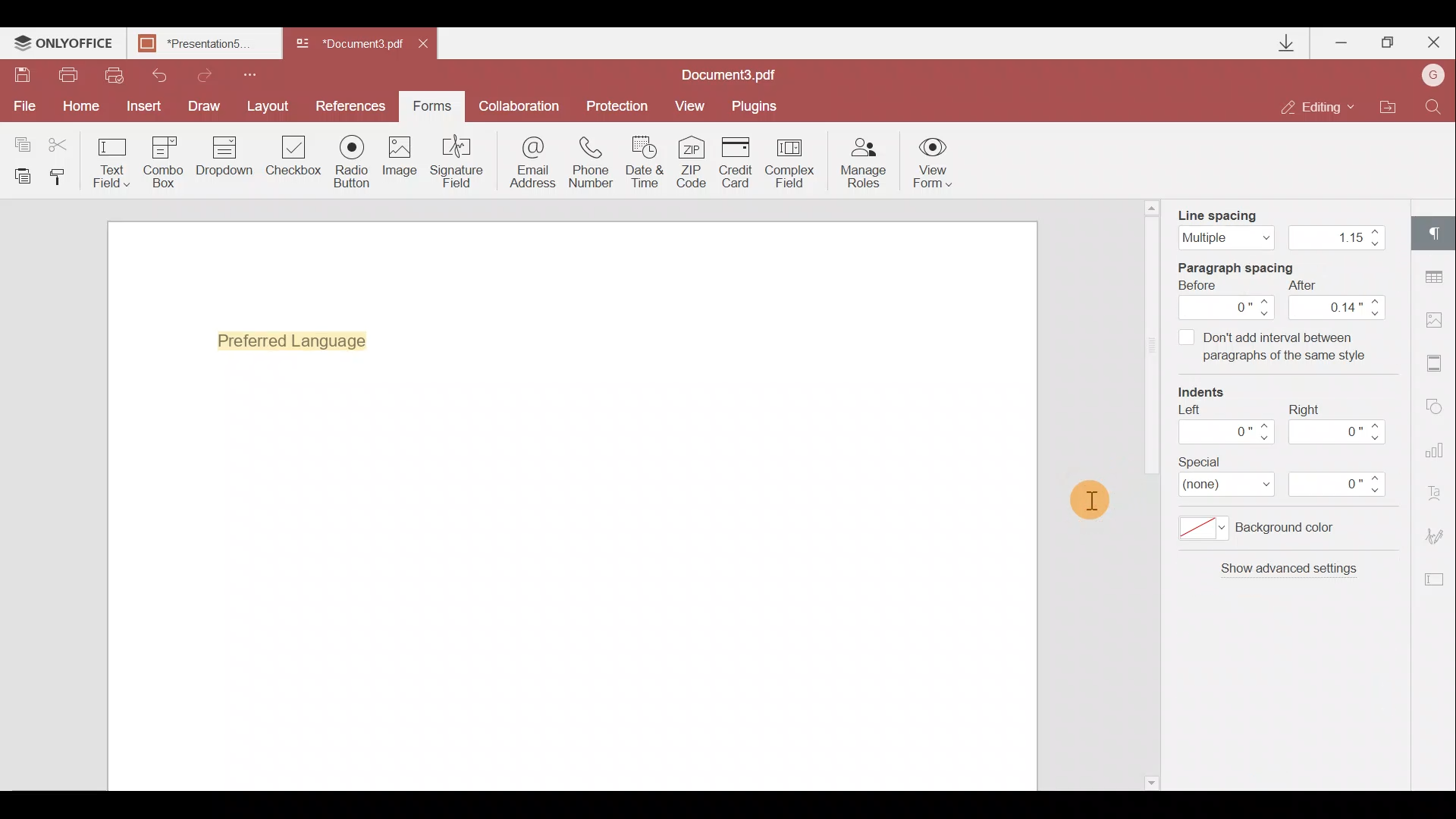 This screenshot has height=819, width=1456. Describe the element at coordinates (1437, 457) in the screenshot. I see `Chart settings` at that location.